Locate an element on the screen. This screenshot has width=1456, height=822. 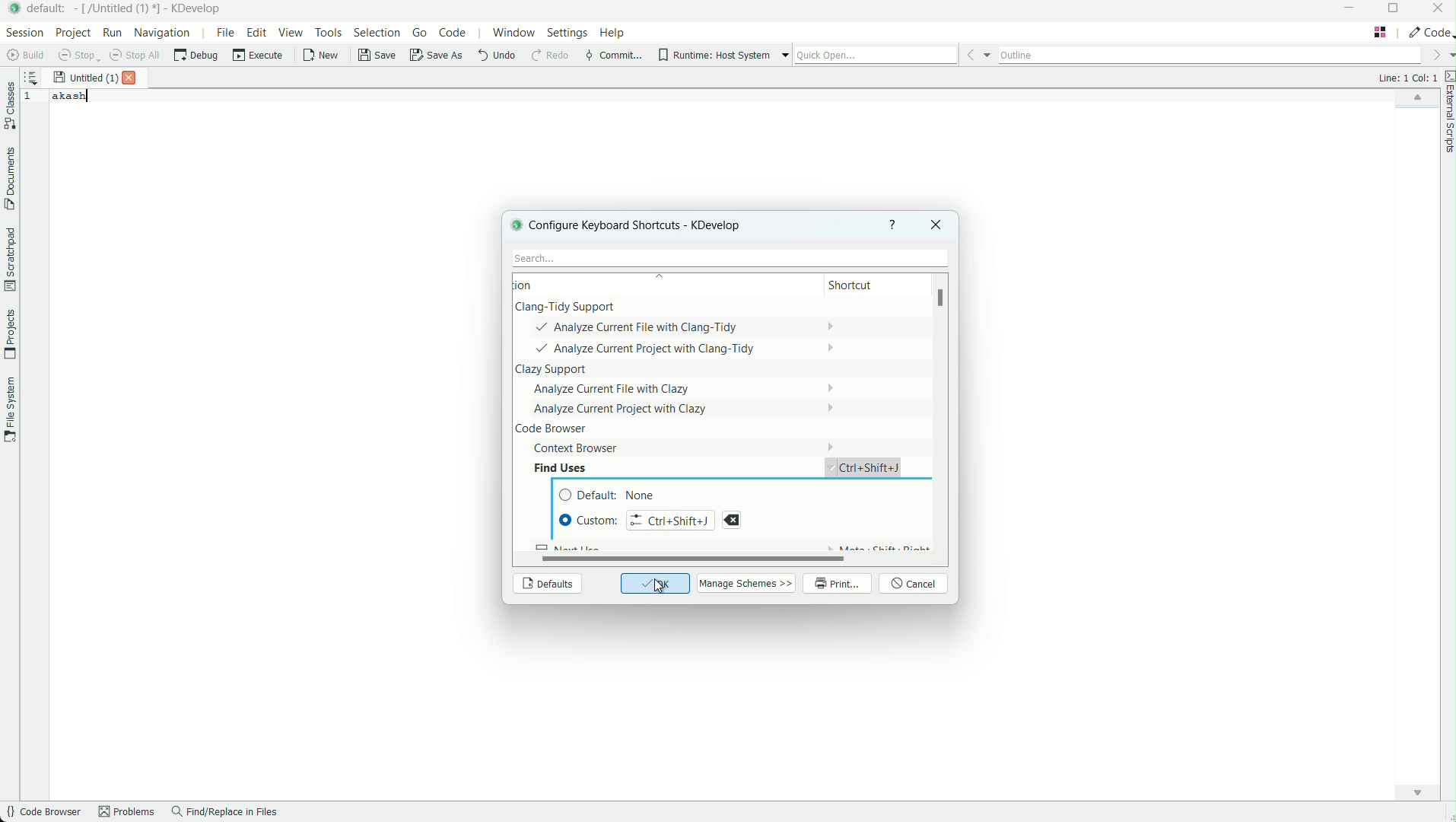
change layout is located at coordinates (1380, 32).